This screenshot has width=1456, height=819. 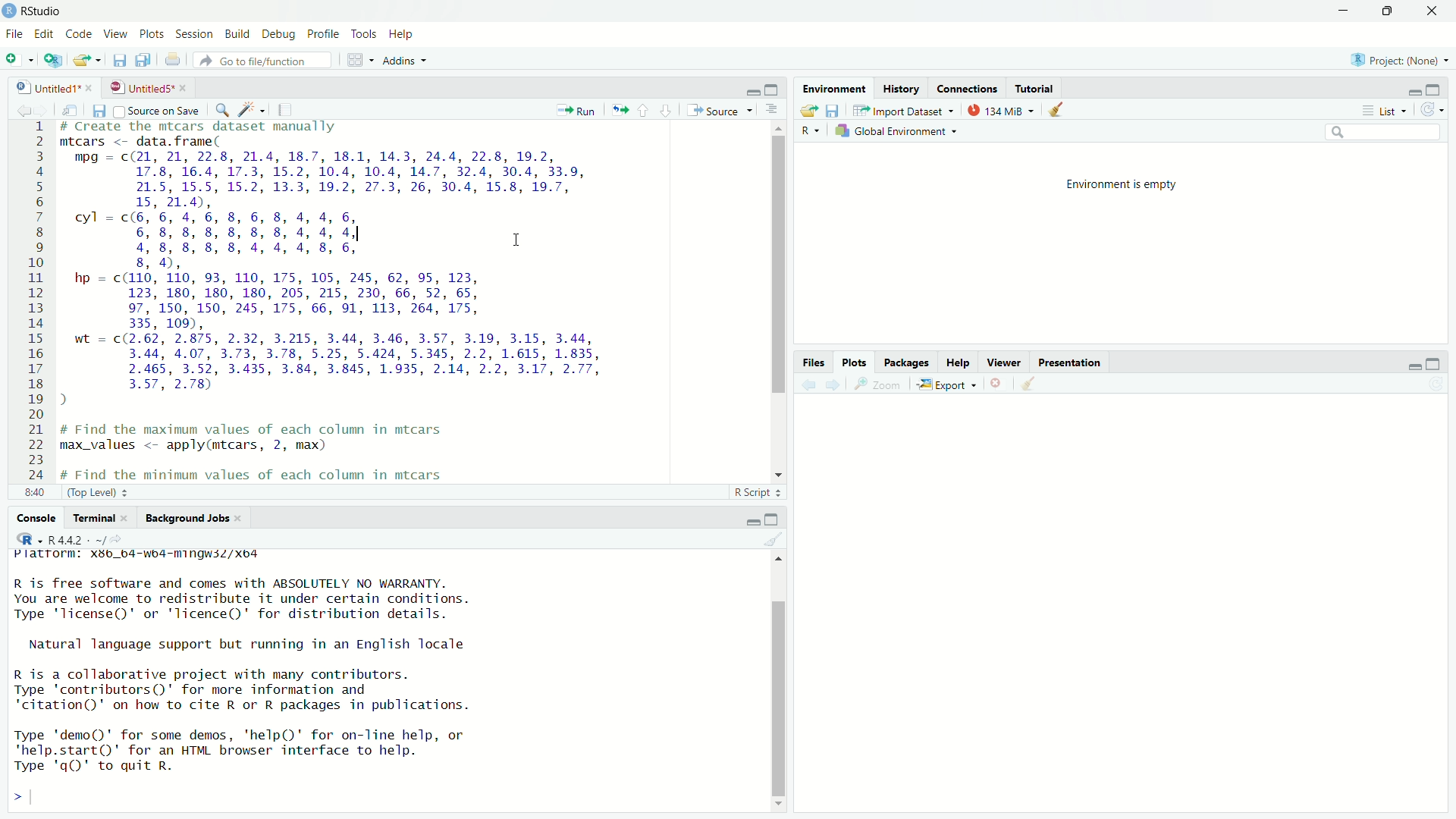 I want to click on cursor, so click(x=521, y=243).